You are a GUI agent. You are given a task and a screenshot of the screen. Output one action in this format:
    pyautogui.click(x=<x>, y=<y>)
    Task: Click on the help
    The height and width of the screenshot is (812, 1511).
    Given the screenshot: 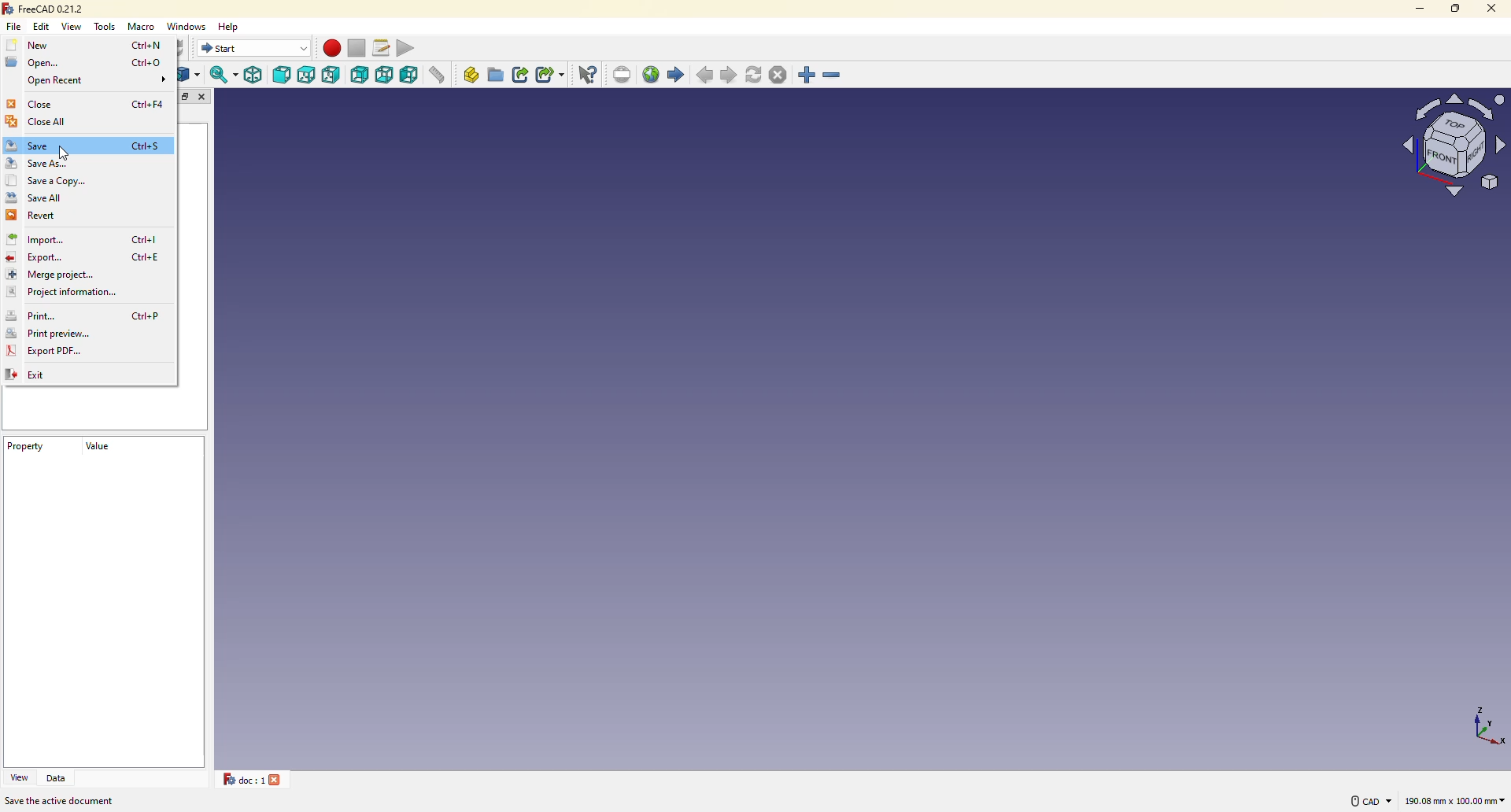 What is the action you would take?
    pyautogui.click(x=233, y=25)
    